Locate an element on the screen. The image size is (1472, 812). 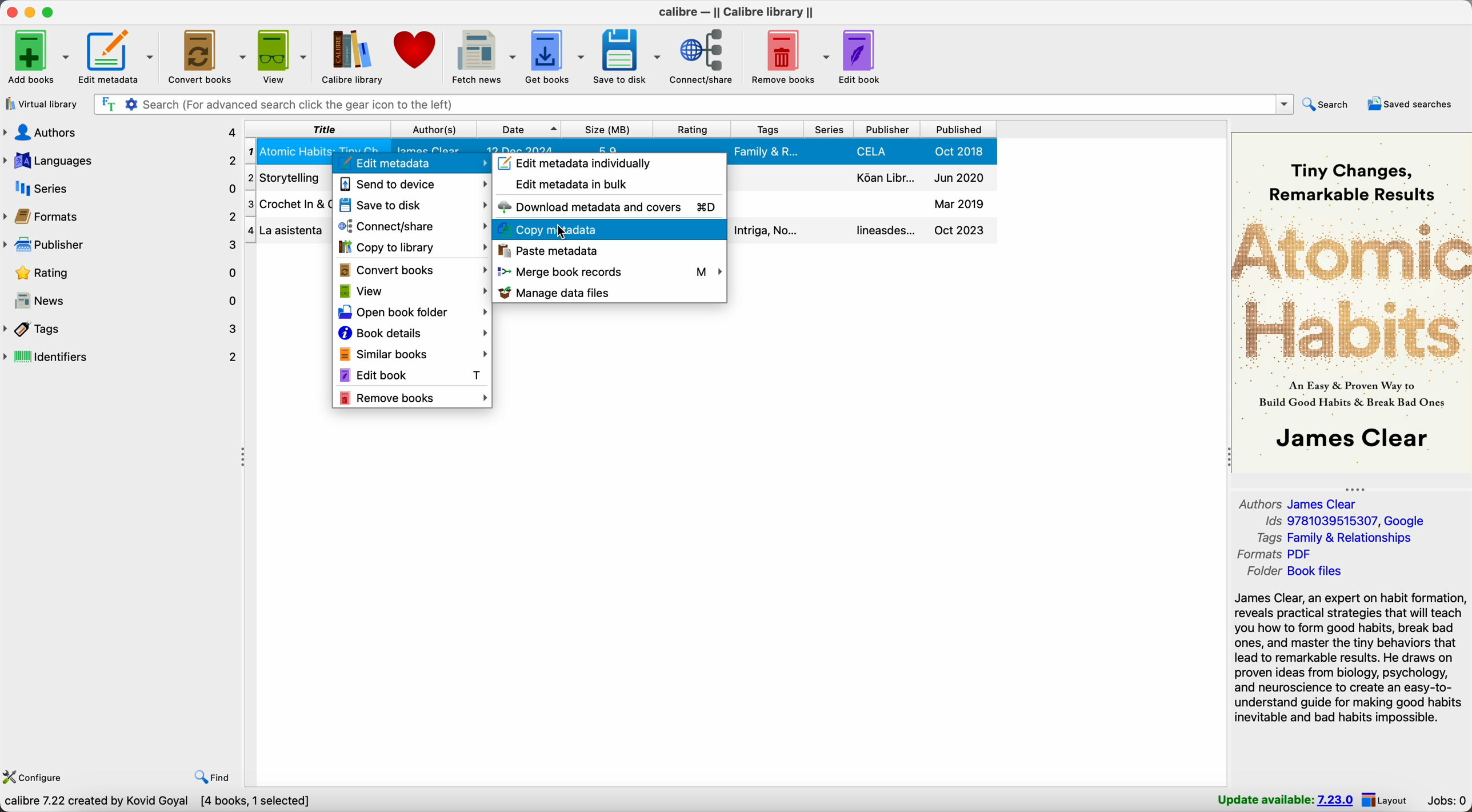
book details is located at coordinates (414, 332).